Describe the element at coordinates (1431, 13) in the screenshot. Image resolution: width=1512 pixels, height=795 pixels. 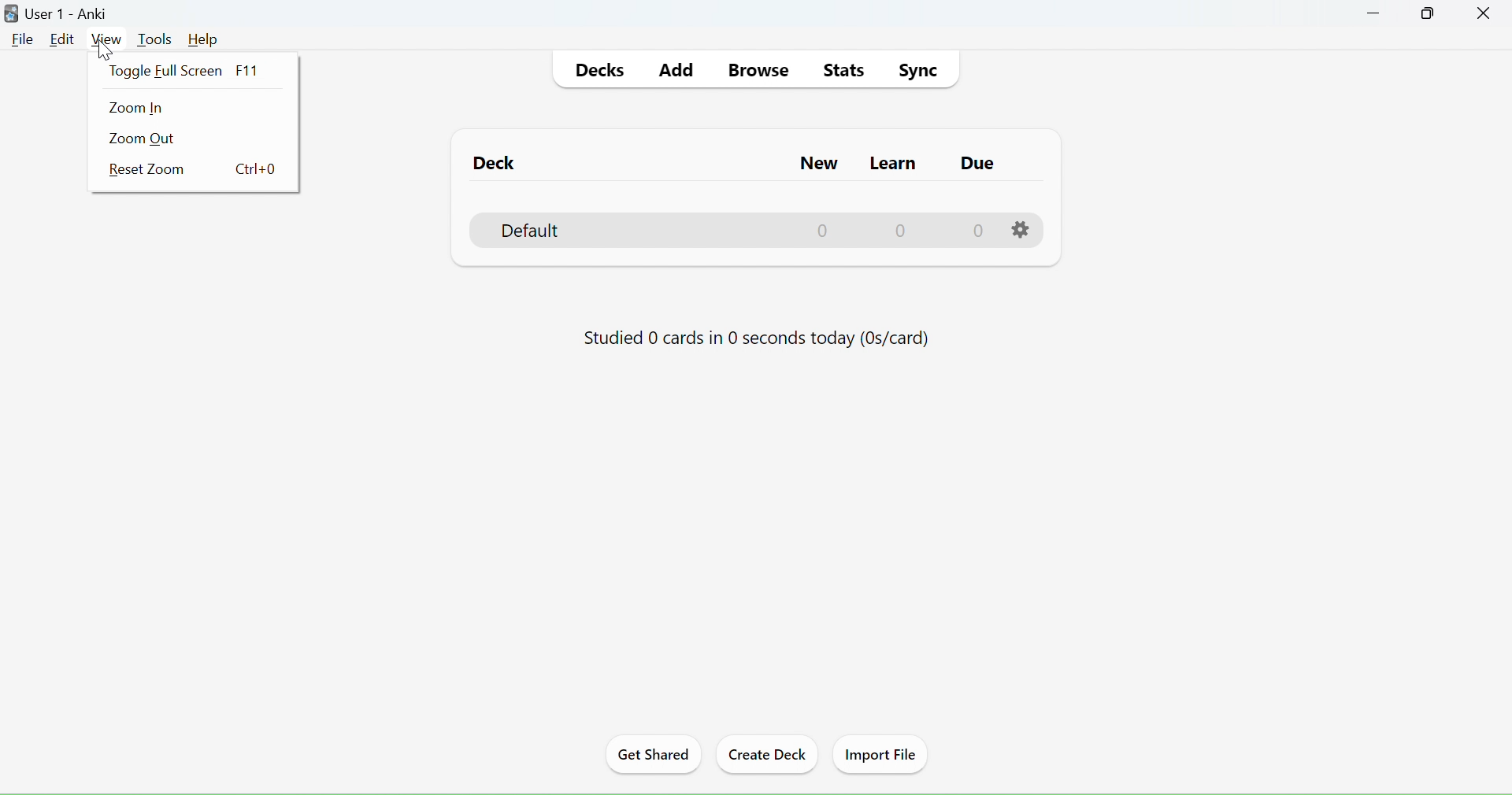
I see `maximize` at that location.